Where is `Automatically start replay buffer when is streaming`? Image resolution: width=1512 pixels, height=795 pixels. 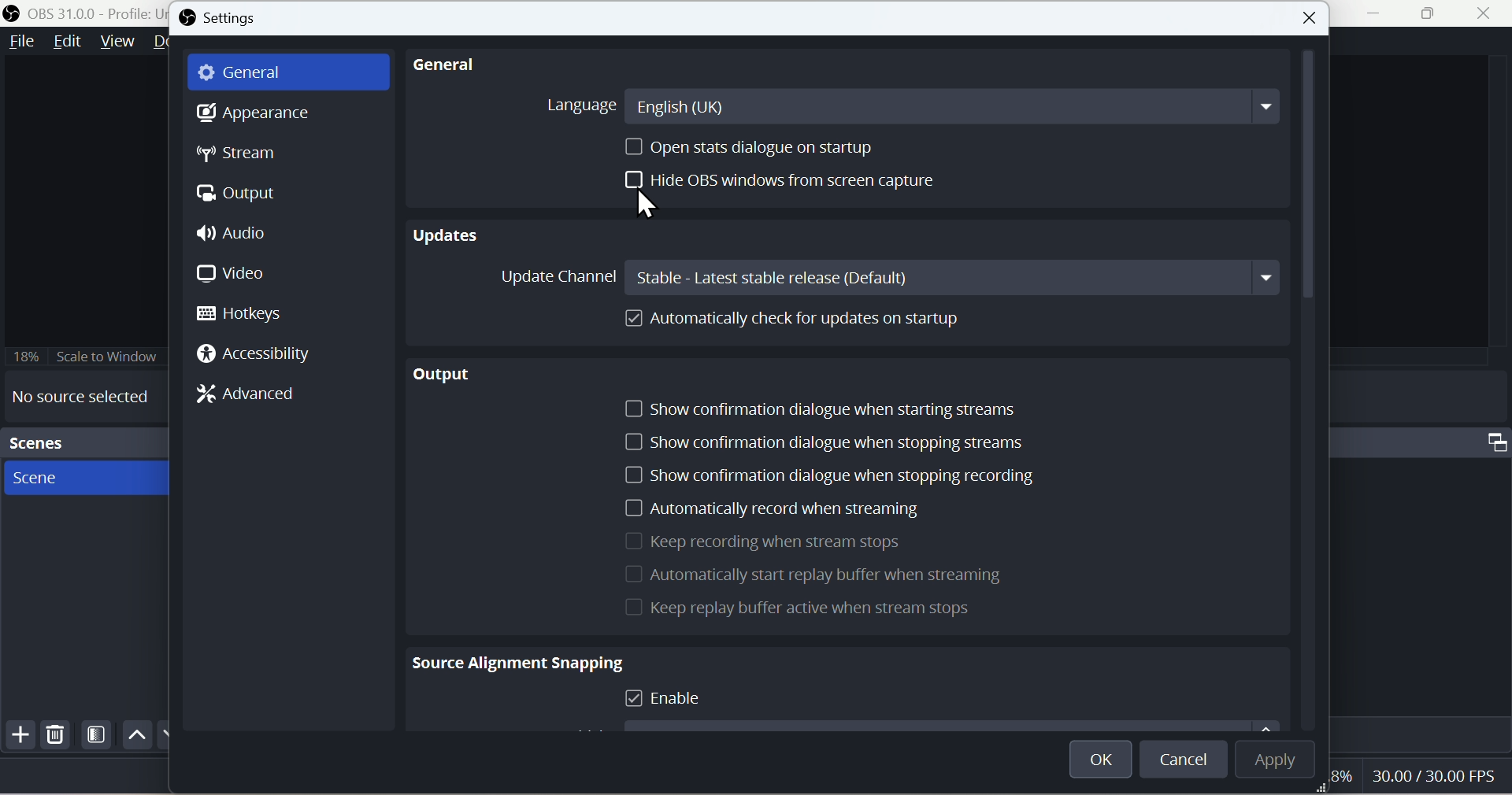
Automatically start replay buffer when is streaming is located at coordinates (813, 576).